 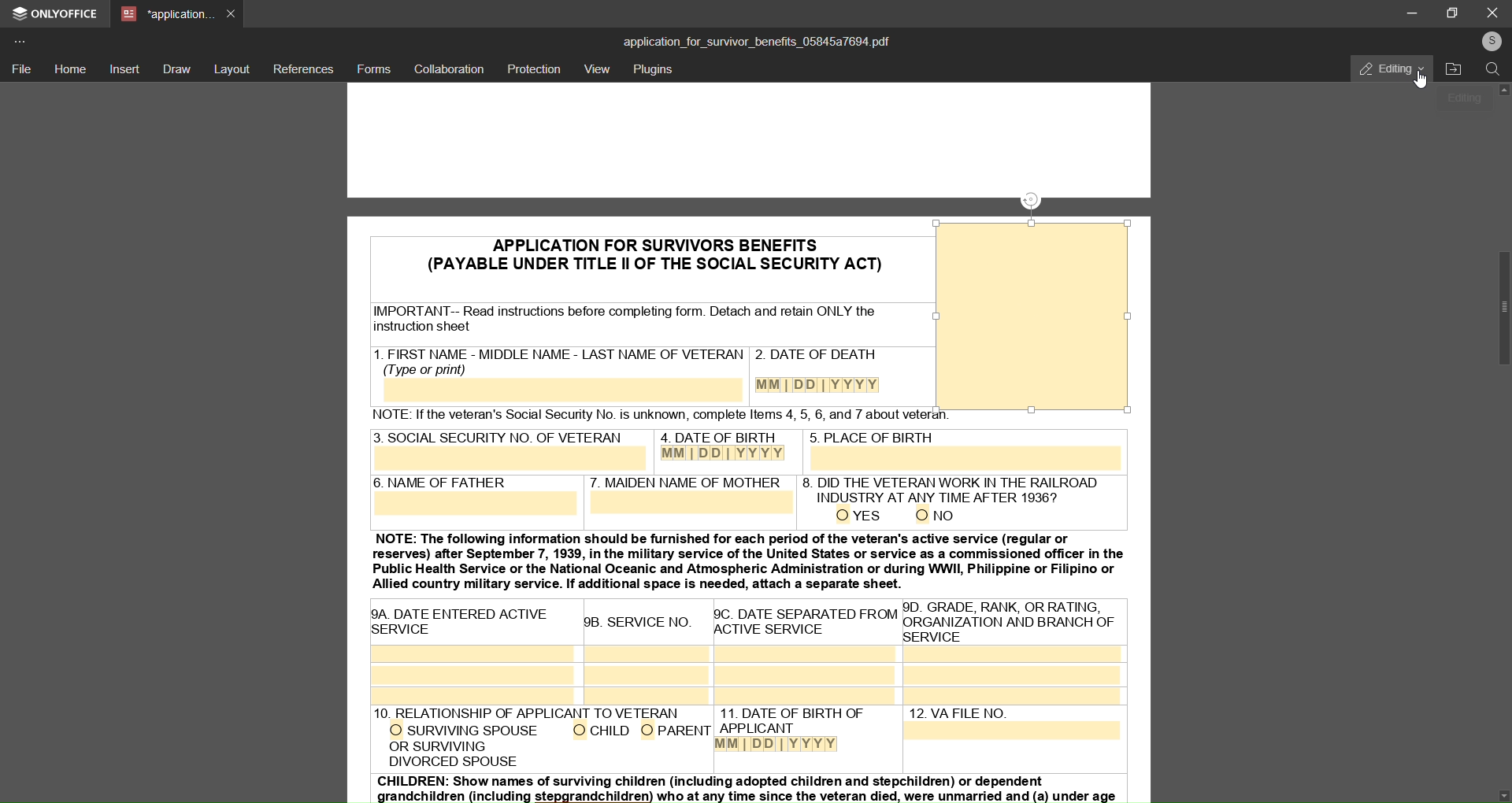 What do you see at coordinates (535, 68) in the screenshot?
I see `protection` at bounding box center [535, 68].